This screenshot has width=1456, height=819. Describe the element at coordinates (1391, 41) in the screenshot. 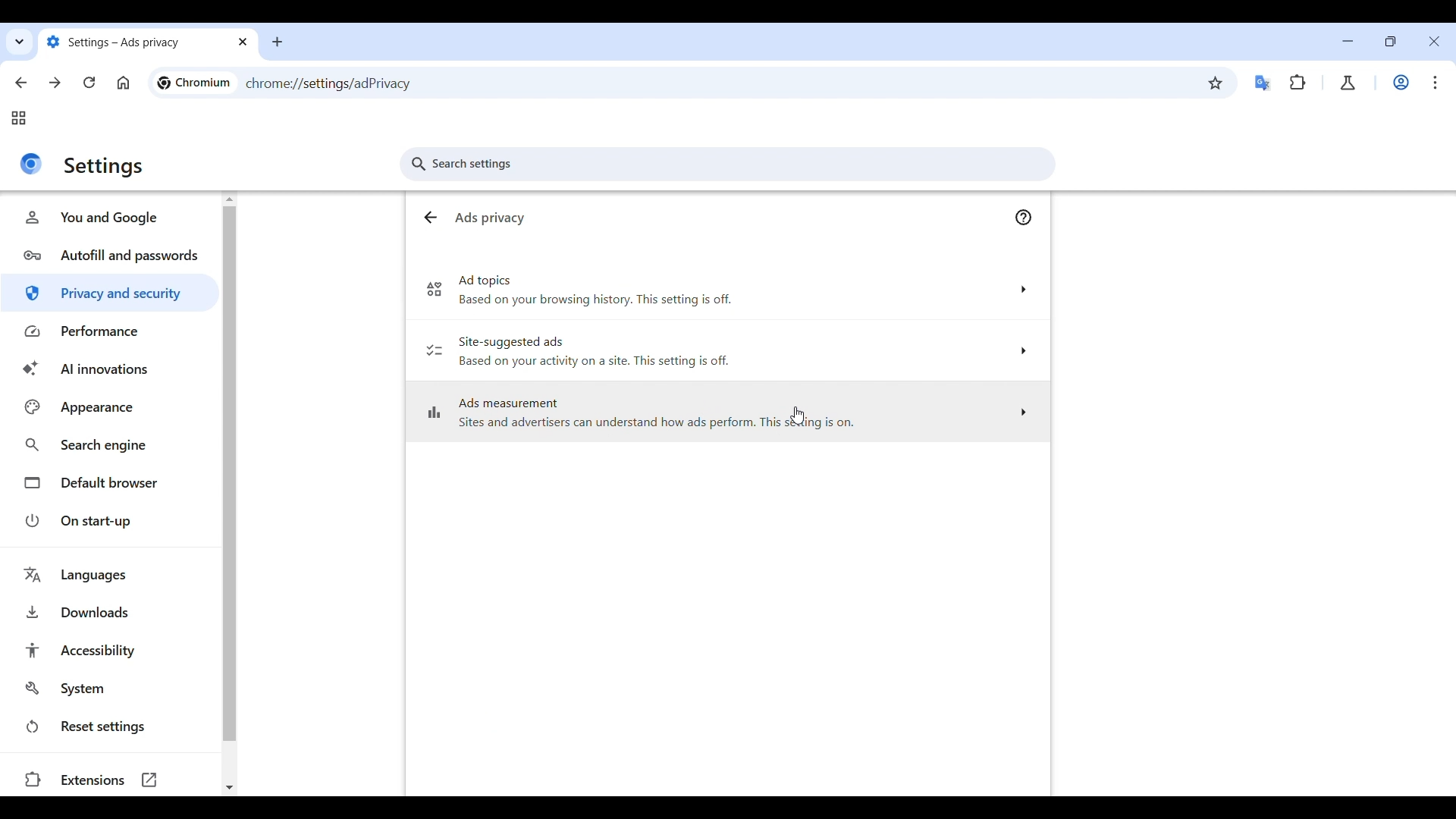

I see `Show interface in a smaller tab` at that location.